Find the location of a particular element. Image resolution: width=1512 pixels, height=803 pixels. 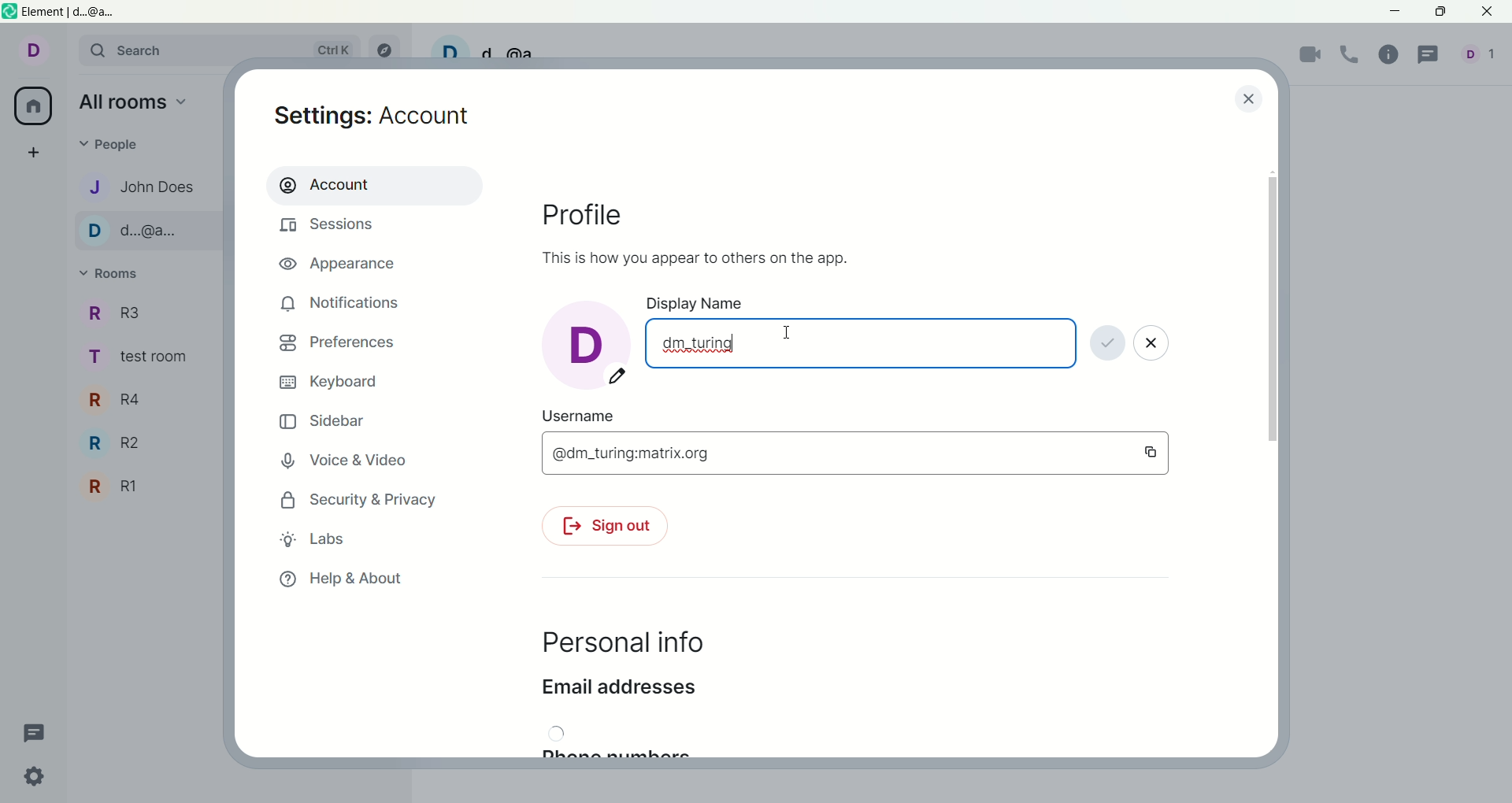

voice call is located at coordinates (1354, 55).